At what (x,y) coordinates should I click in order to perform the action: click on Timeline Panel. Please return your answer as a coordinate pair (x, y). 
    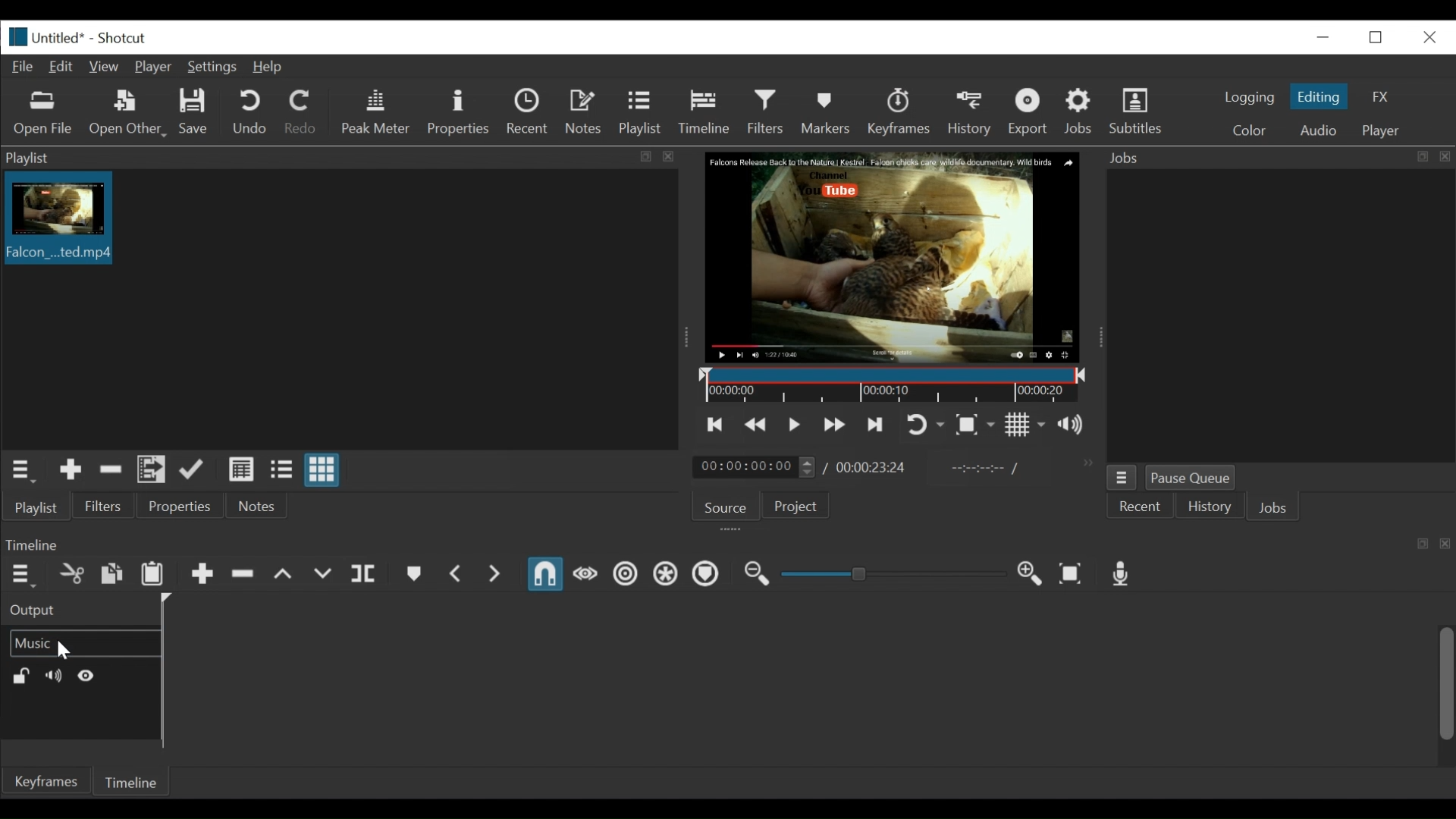
    Looking at the image, I should click on (726, 546).